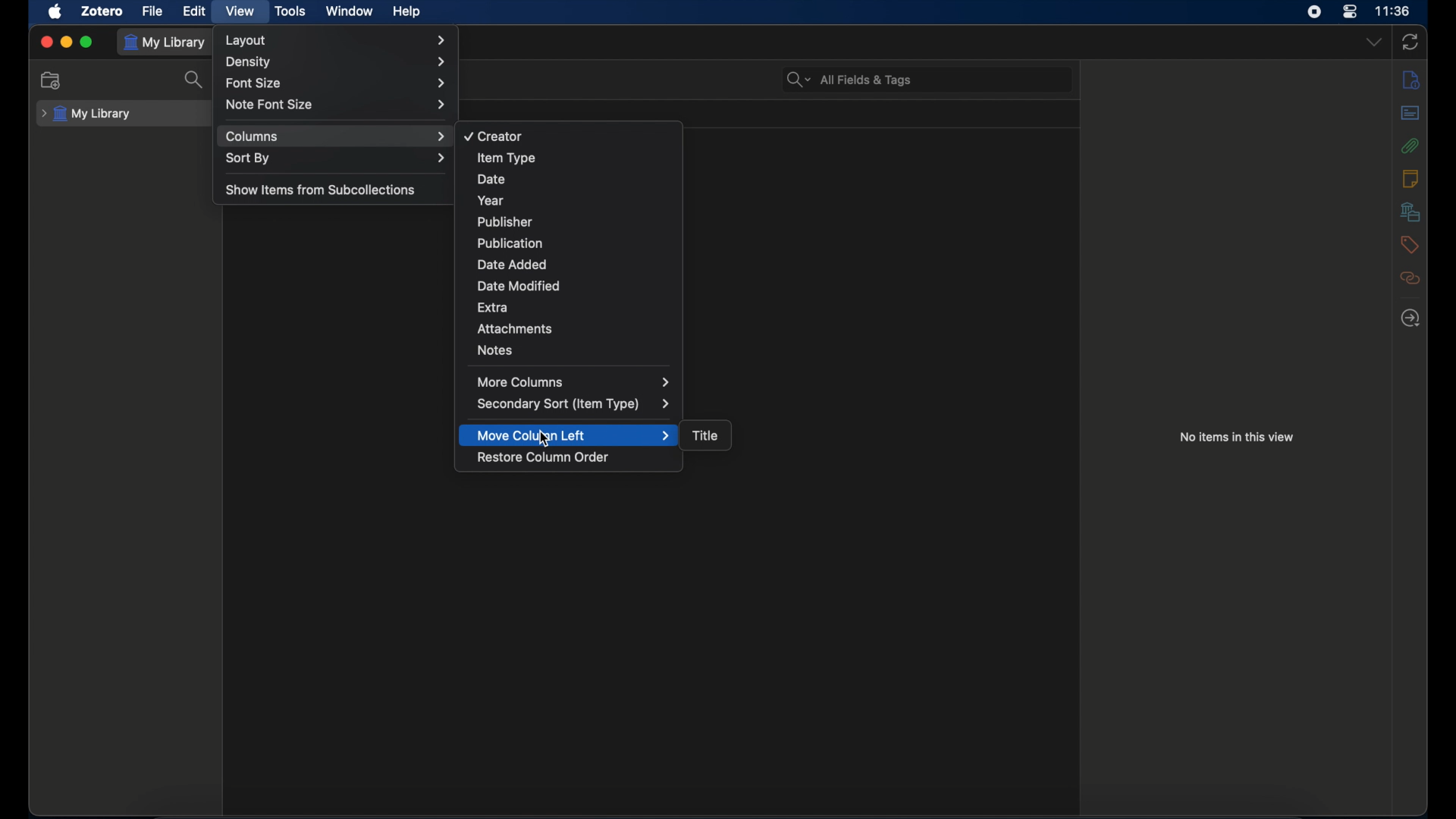 This screenshot has width=1456, height=819. I want to click on creator, so click(495, 137).